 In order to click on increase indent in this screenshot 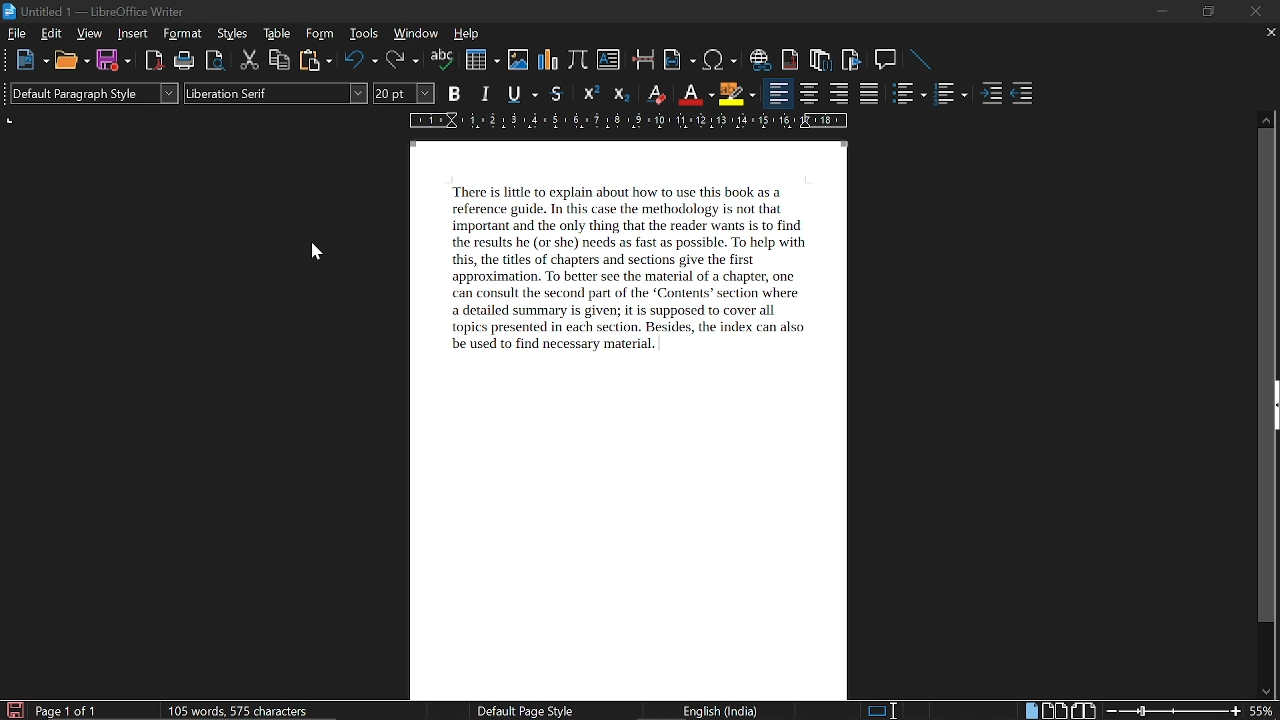, I will do `click(991, 94)`.